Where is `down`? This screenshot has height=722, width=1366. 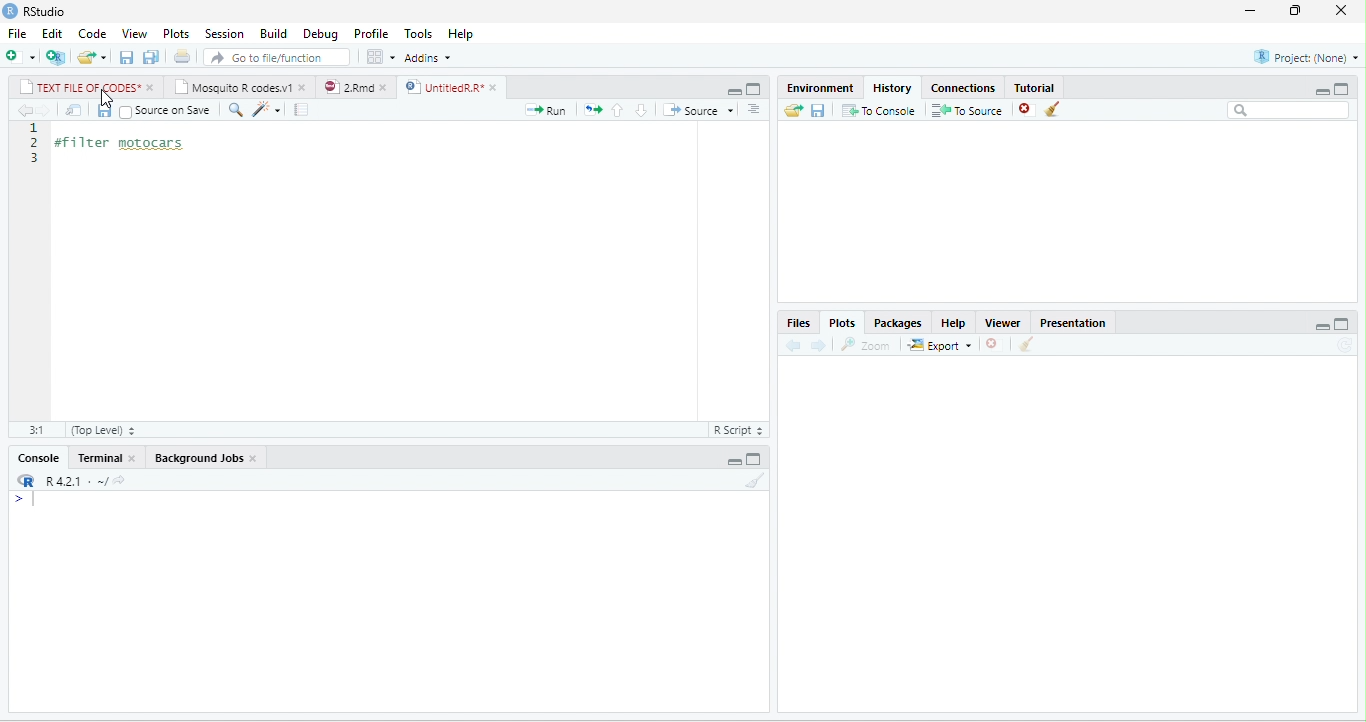 down is located at coordinates (641, 110).